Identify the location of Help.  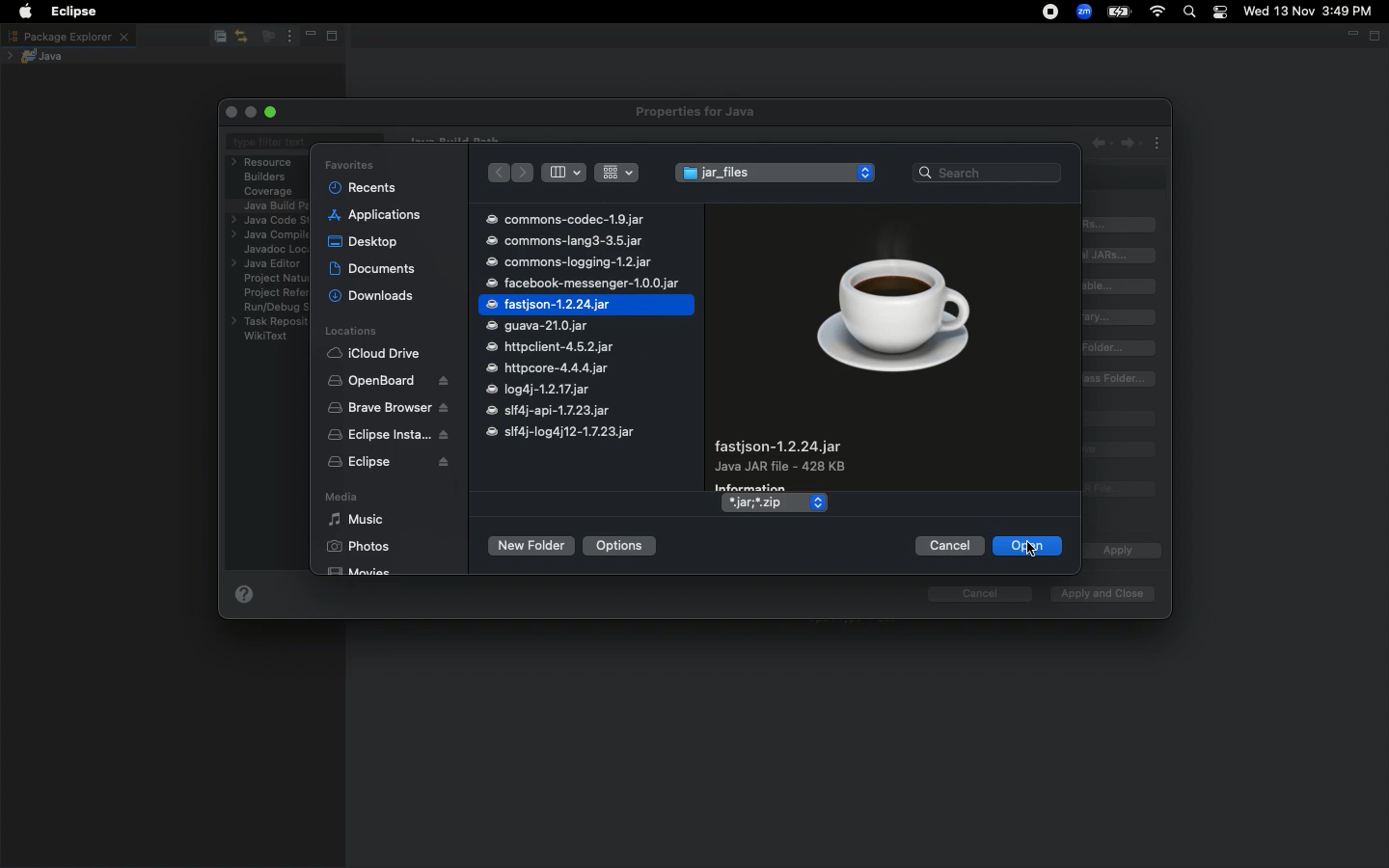
(244, 598).